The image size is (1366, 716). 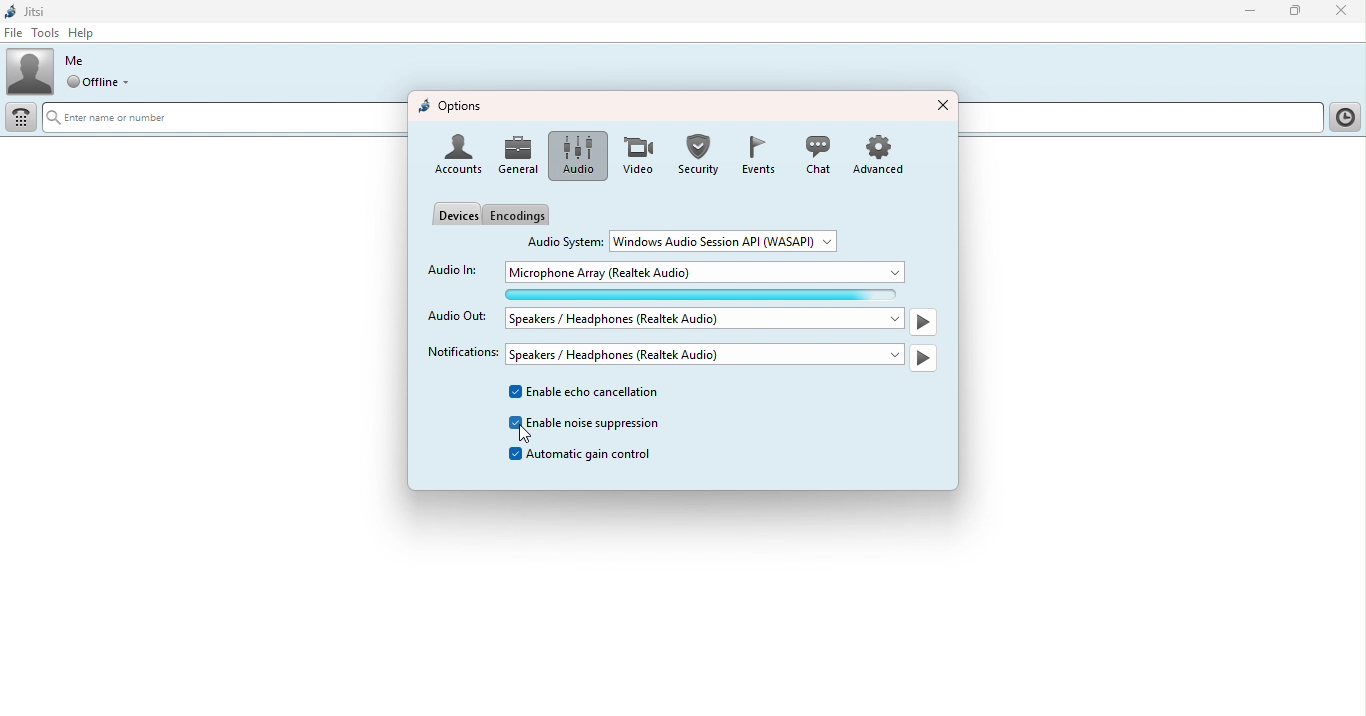 I want to click on Audio out, so click(x=458, y=318).